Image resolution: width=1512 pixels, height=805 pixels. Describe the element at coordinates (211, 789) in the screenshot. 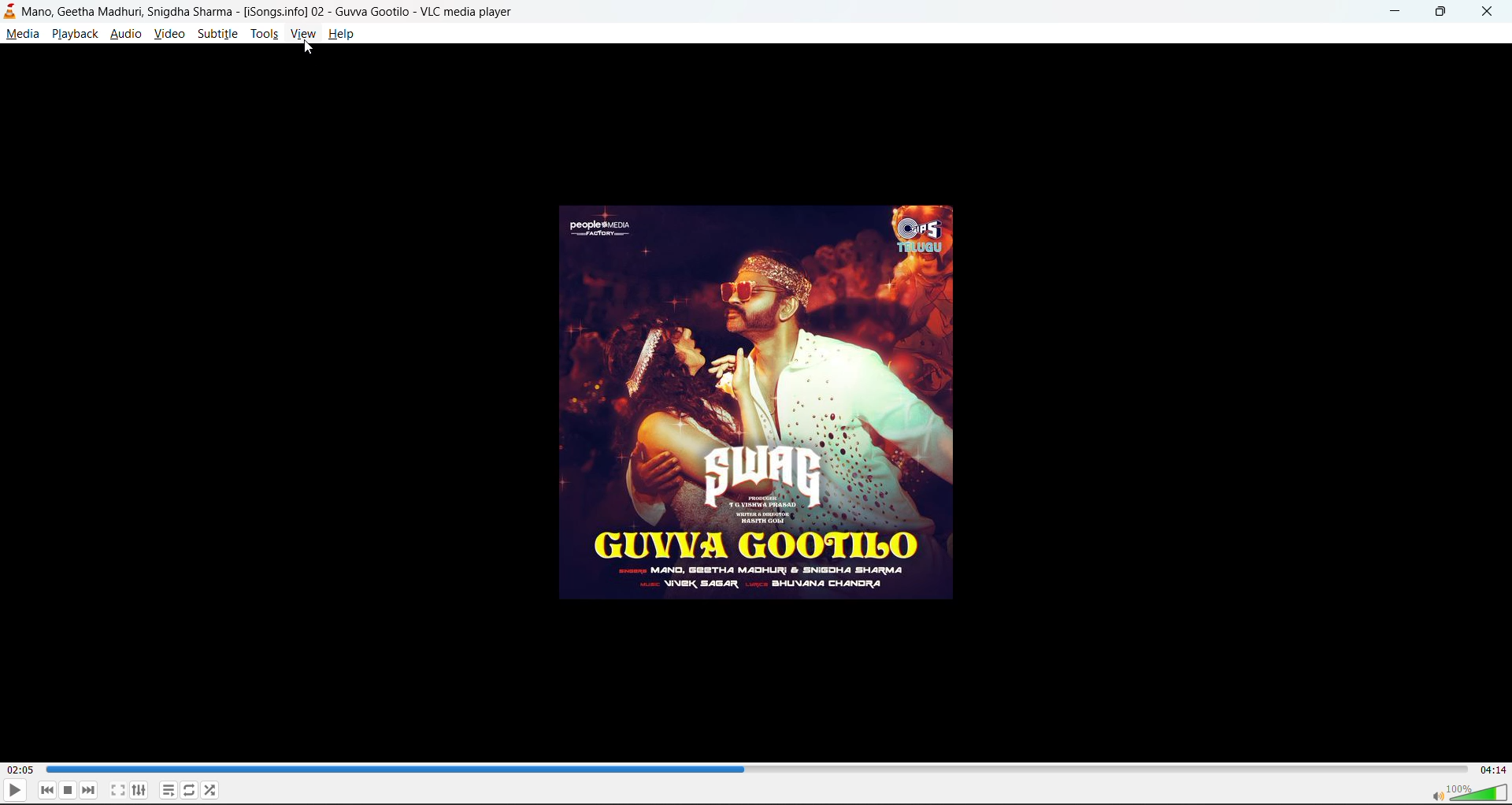

I see `random` at that location.